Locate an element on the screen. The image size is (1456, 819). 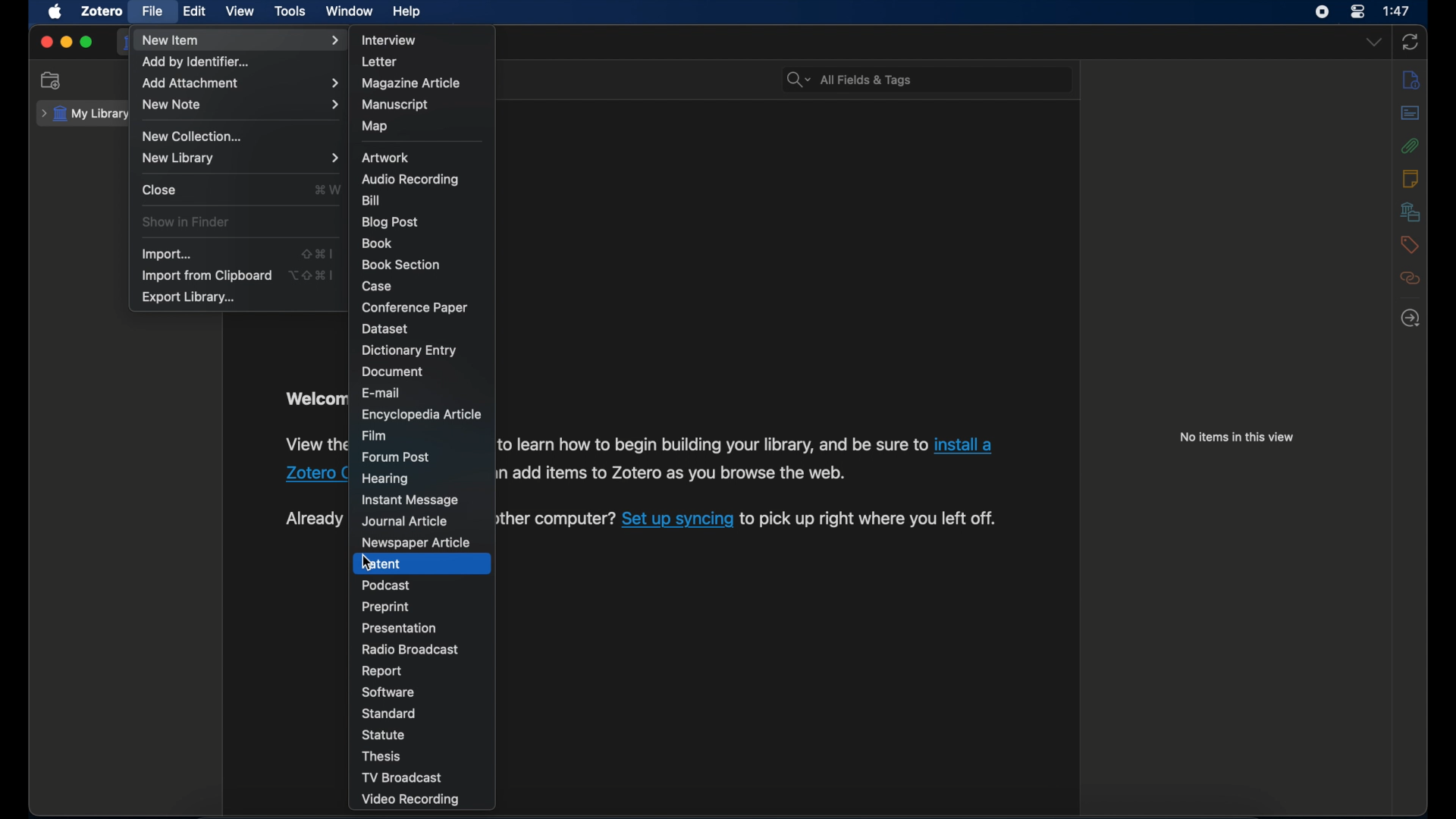
add by identifier is located at coordinates (199, 63).